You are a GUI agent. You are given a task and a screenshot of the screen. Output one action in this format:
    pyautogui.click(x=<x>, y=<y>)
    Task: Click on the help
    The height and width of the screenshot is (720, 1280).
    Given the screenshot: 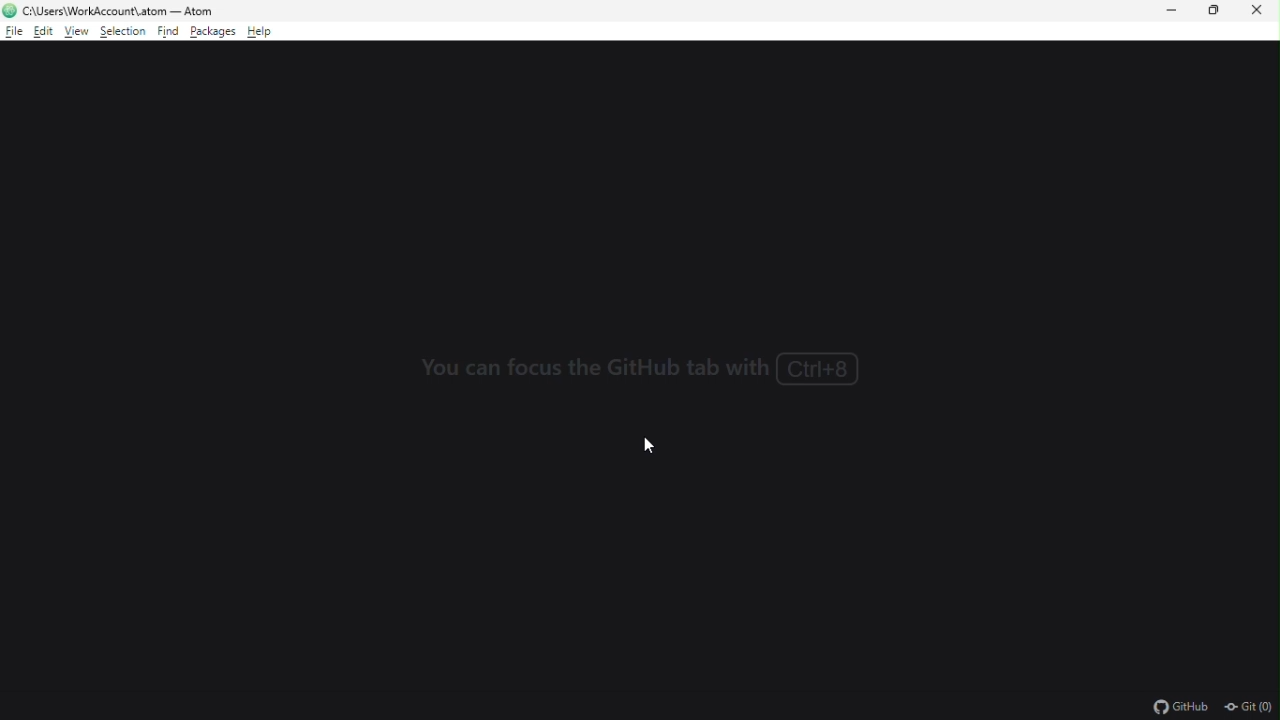 What is the action you would take?
    pyautogui.click(x=264, y=32)
    